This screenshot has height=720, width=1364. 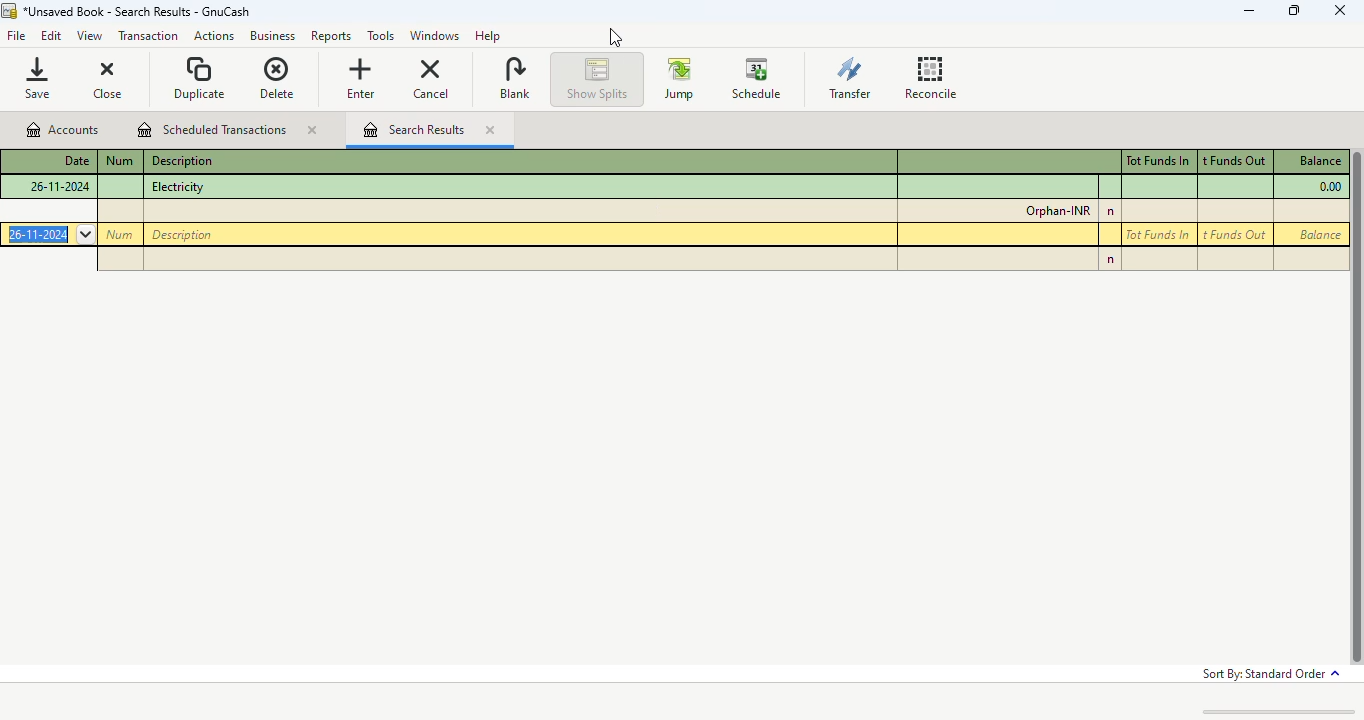 What do you see at coordinates (1112, 211) in the screenshot?
I see `n` at bounding box center [1112, 211].